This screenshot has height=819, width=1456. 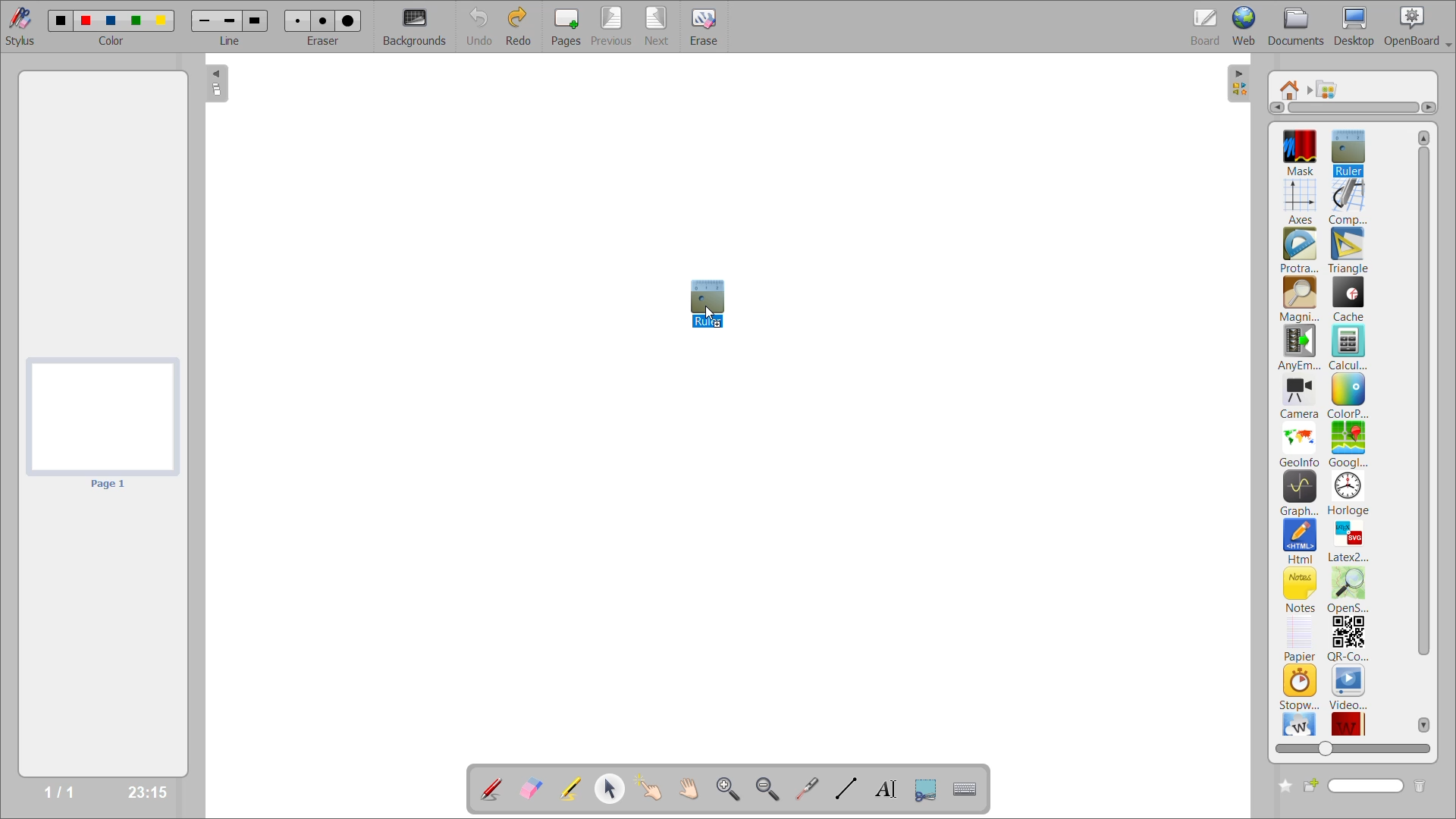 I want to click on board, so click(x=1208, y=26).